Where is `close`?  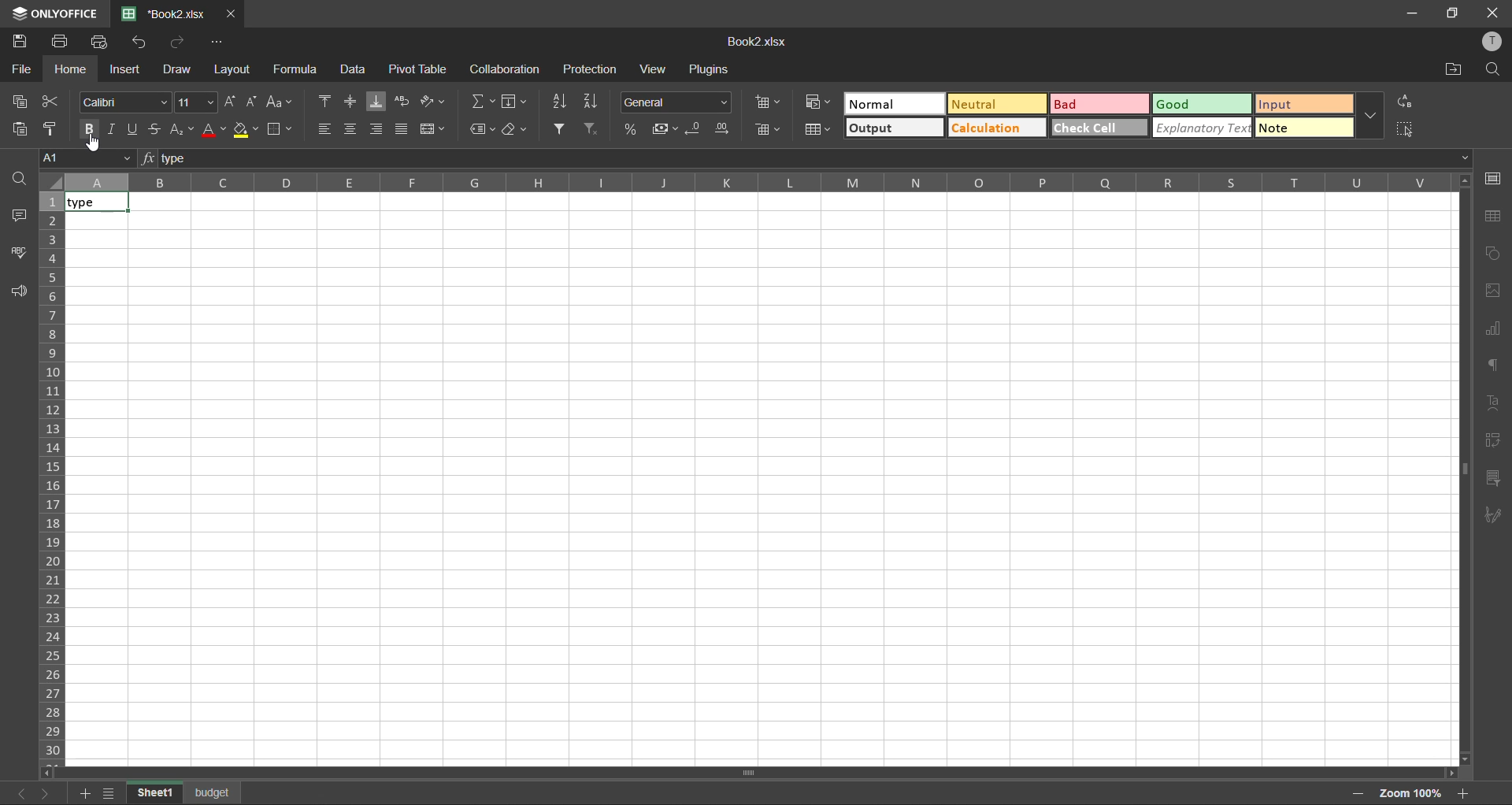 close is located at coordinates (1492, 12).